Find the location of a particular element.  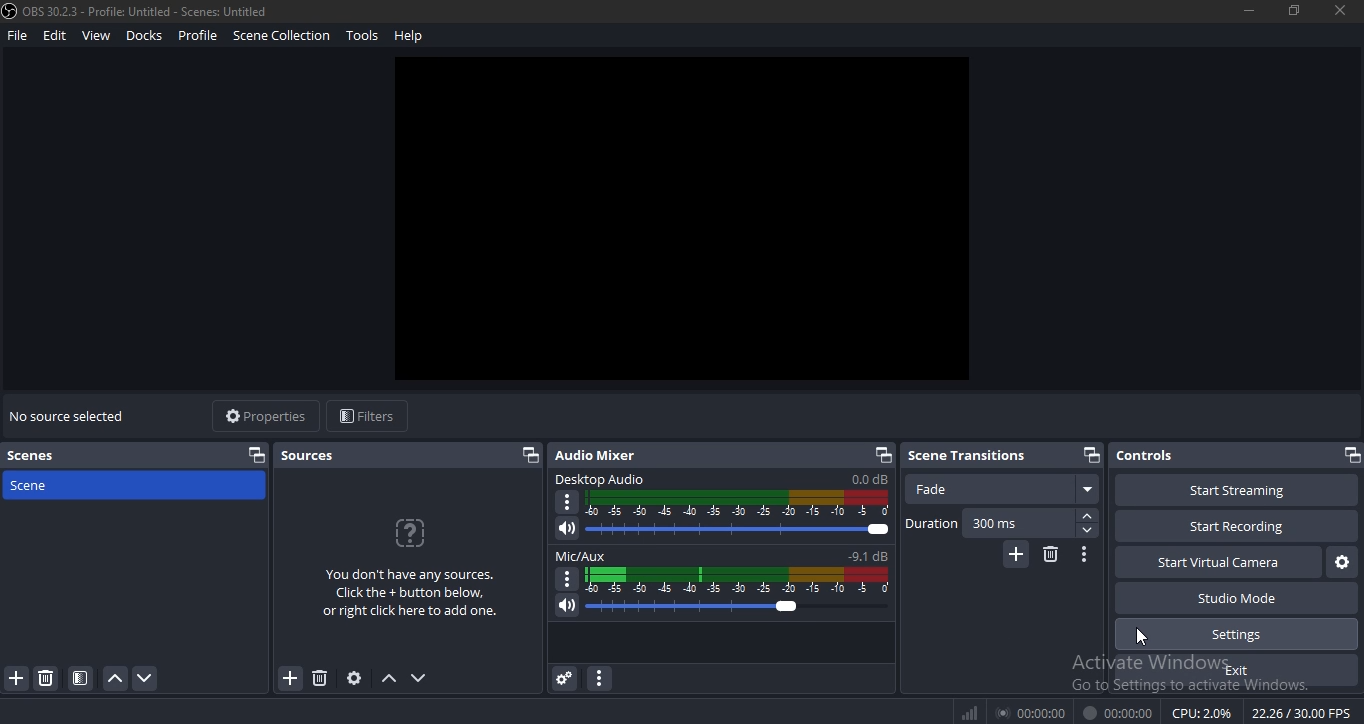

 is located at coordinates (562, 679).